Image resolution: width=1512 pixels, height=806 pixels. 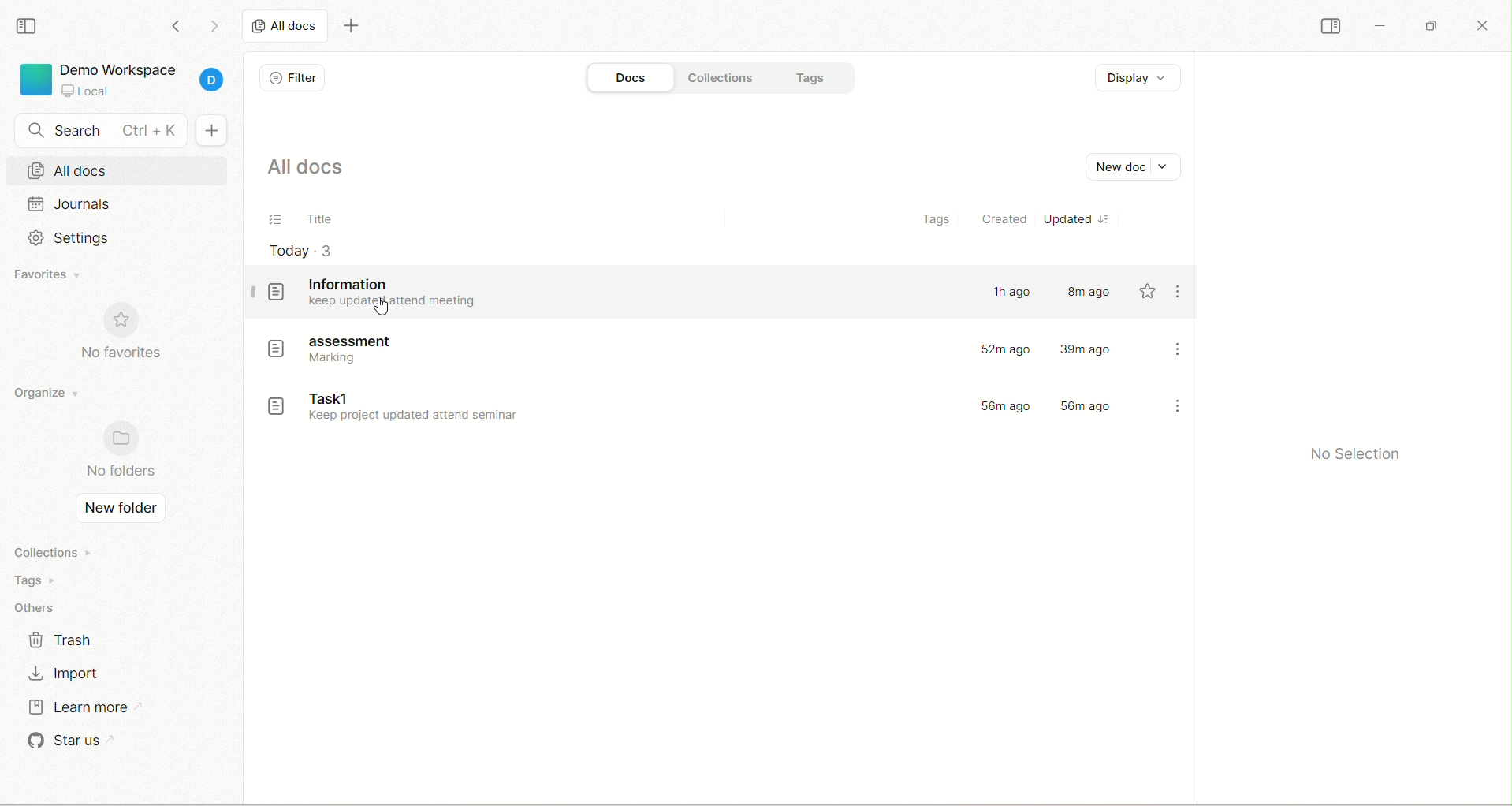 What do you see at coordinates (1179, 350) in the screenshot?
I see `options` at bounding box center [1179, 350].